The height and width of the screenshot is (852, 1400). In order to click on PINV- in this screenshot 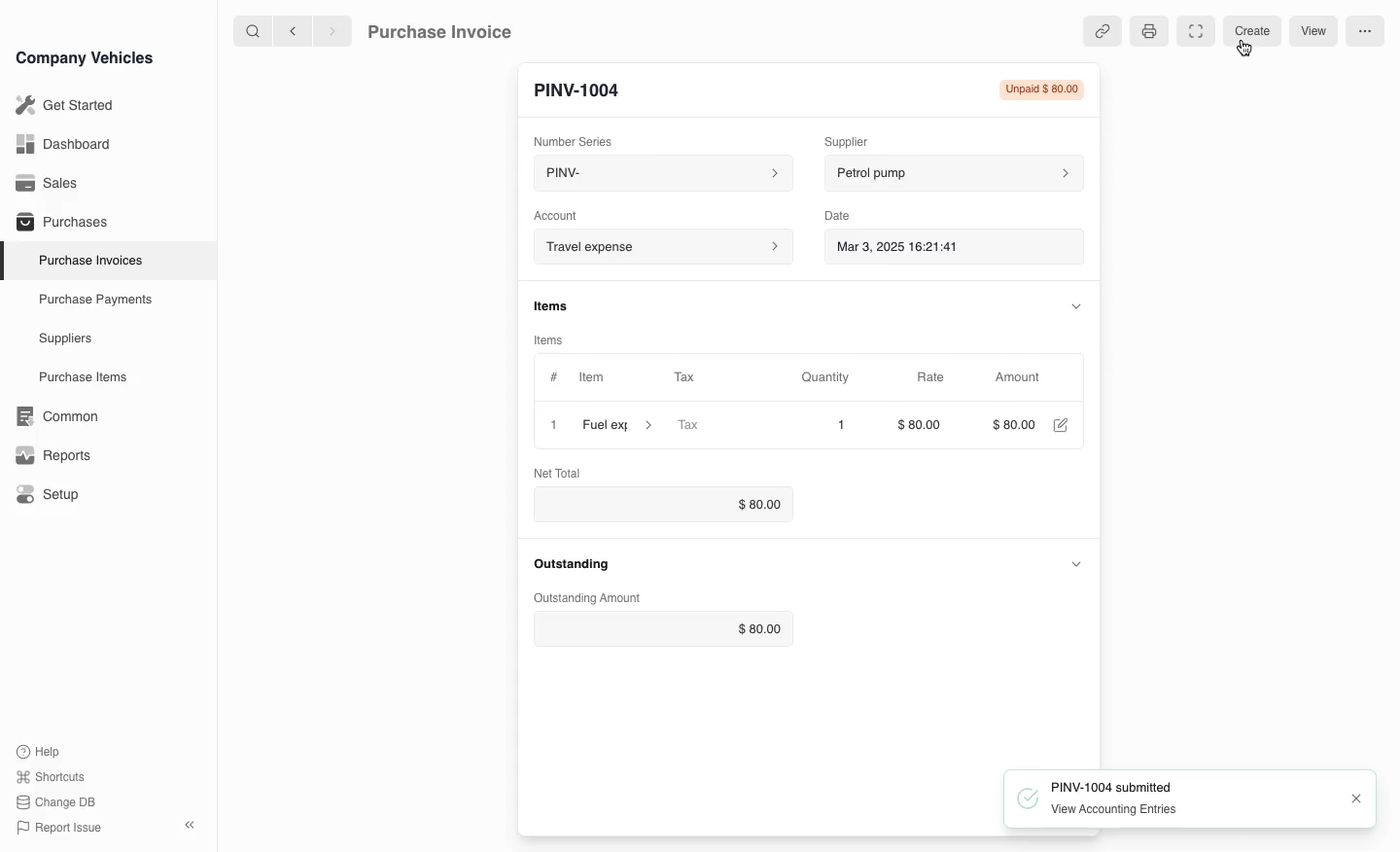, I will do `click(657, 175)`.